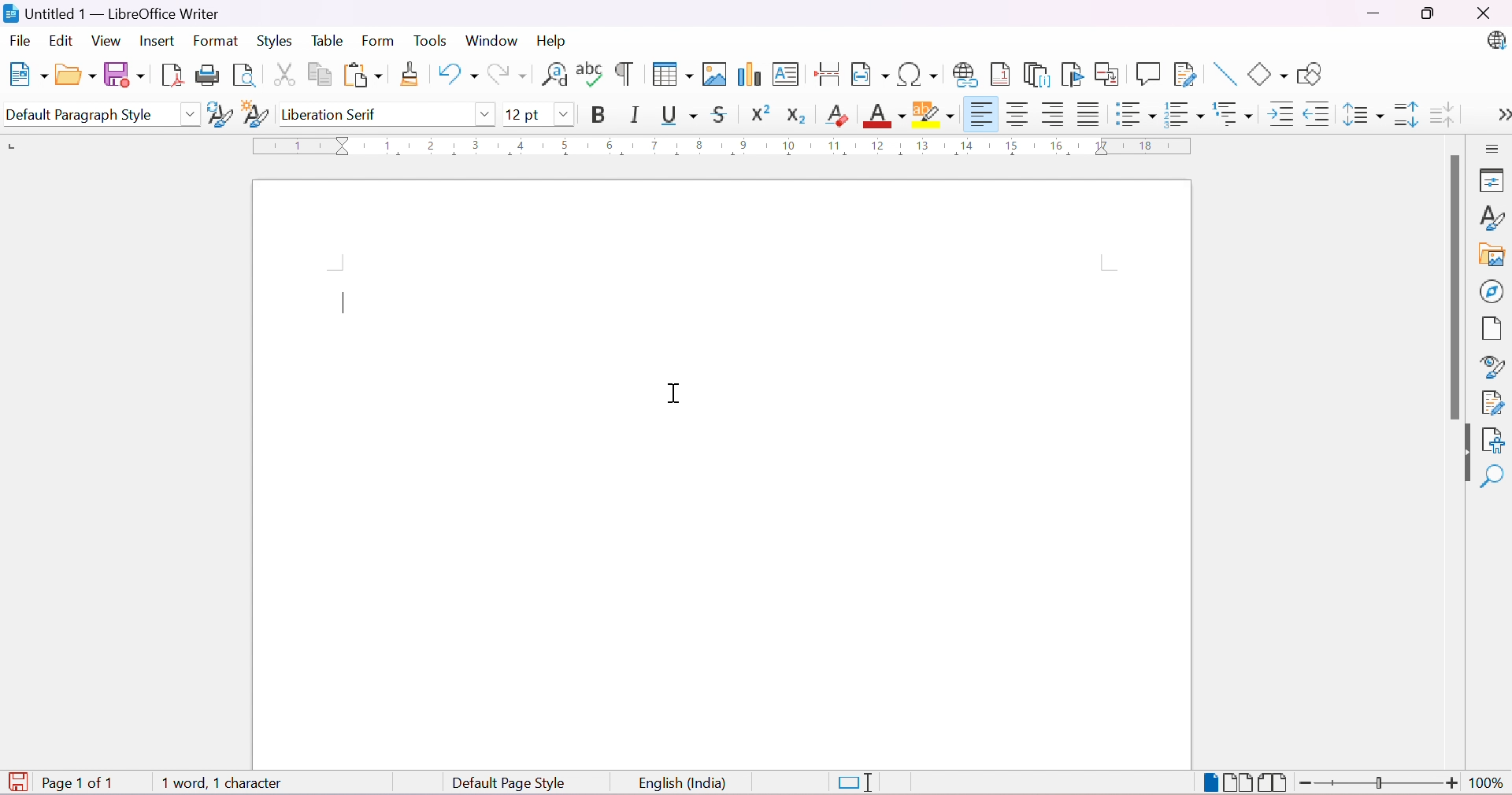 The width and height of the screenshot is (1512, 795). I want to click on Increase Indent, so click(1278, 113).